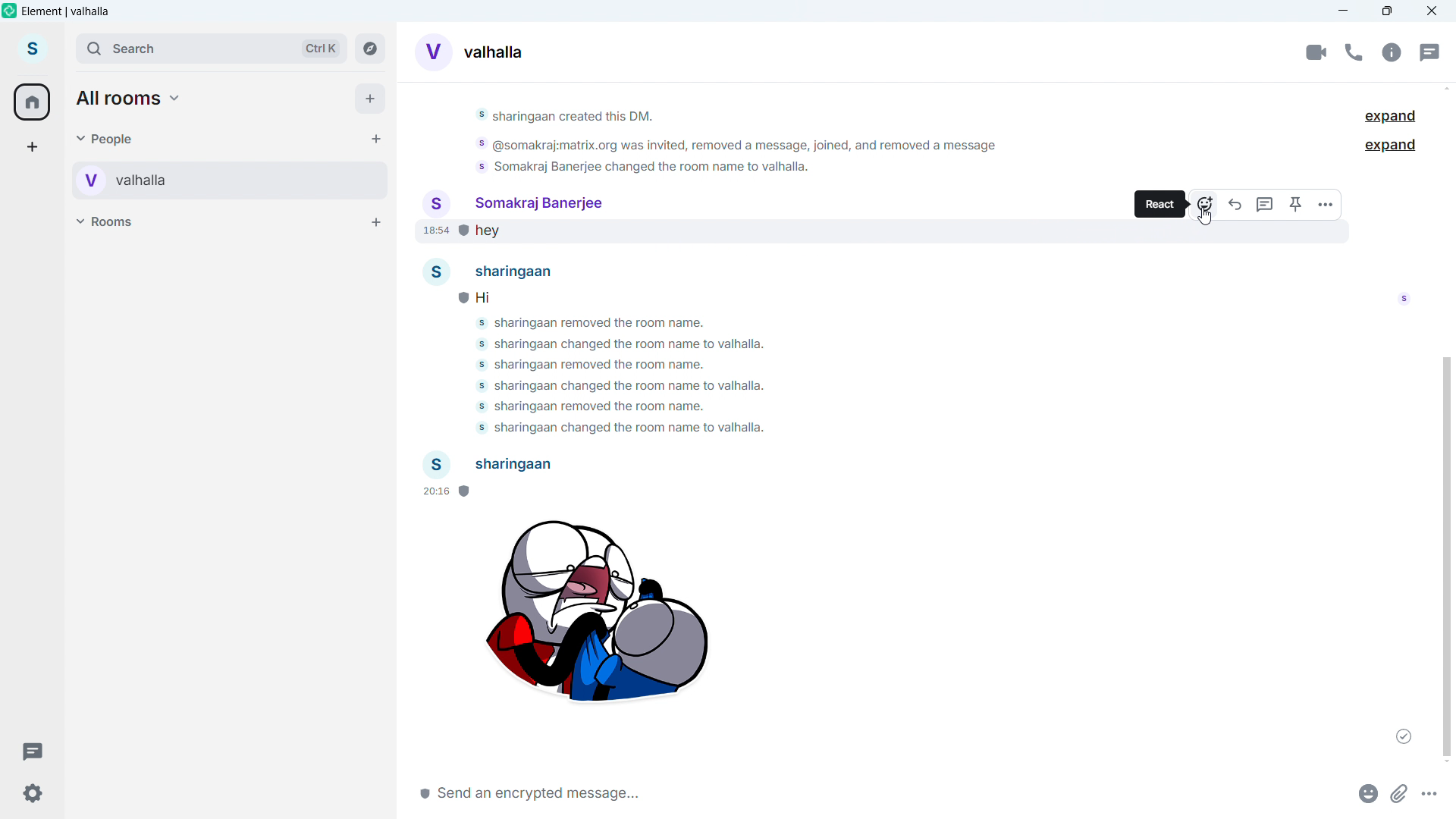 The image size is (1456, 819). What do you see at coordinates (375, 221) in the screenshot?
I see `Add room ` at bounding box center [375, 221].